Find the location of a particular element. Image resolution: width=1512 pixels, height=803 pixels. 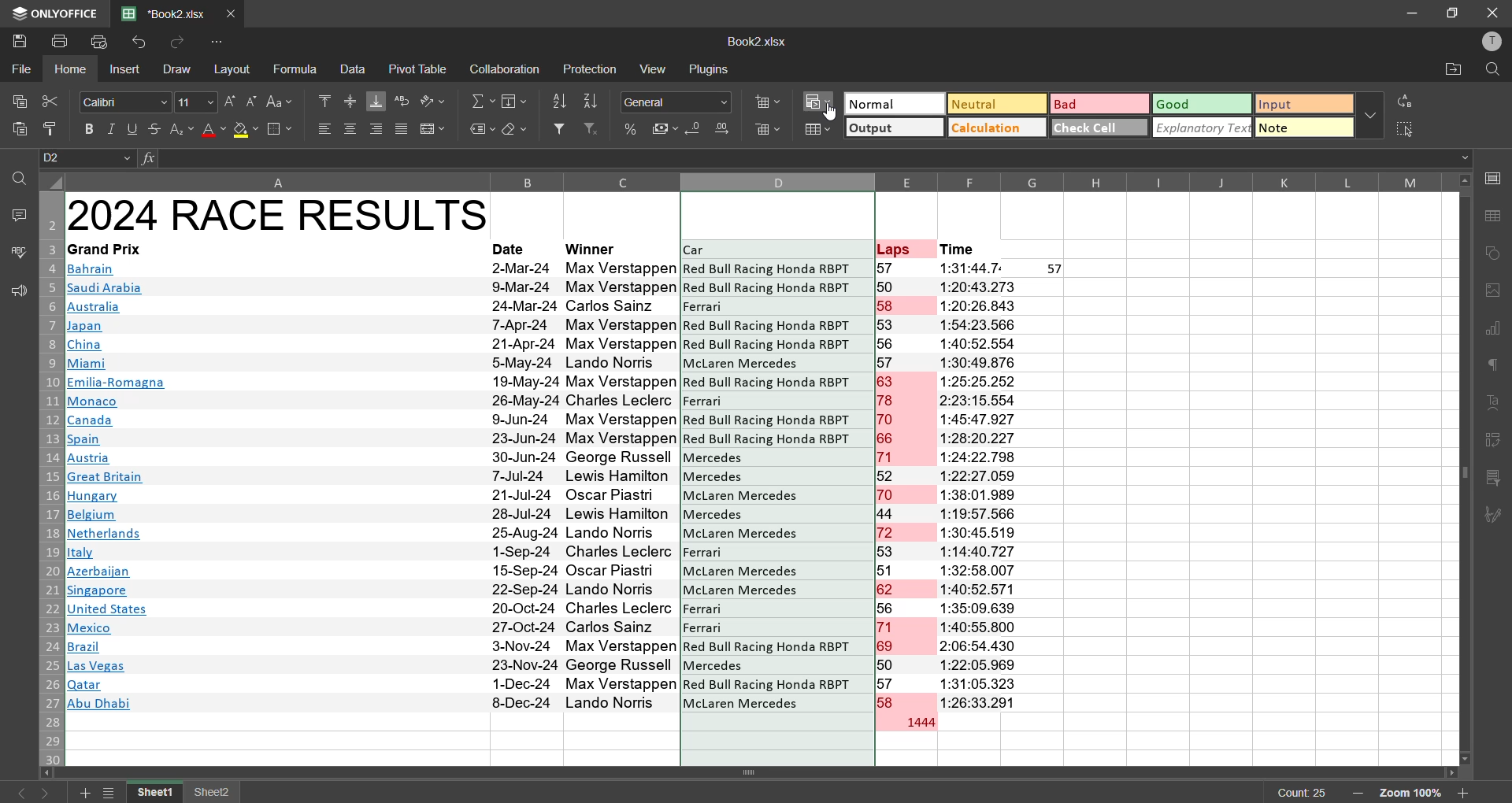

font color is located at coordinates (213, 129).